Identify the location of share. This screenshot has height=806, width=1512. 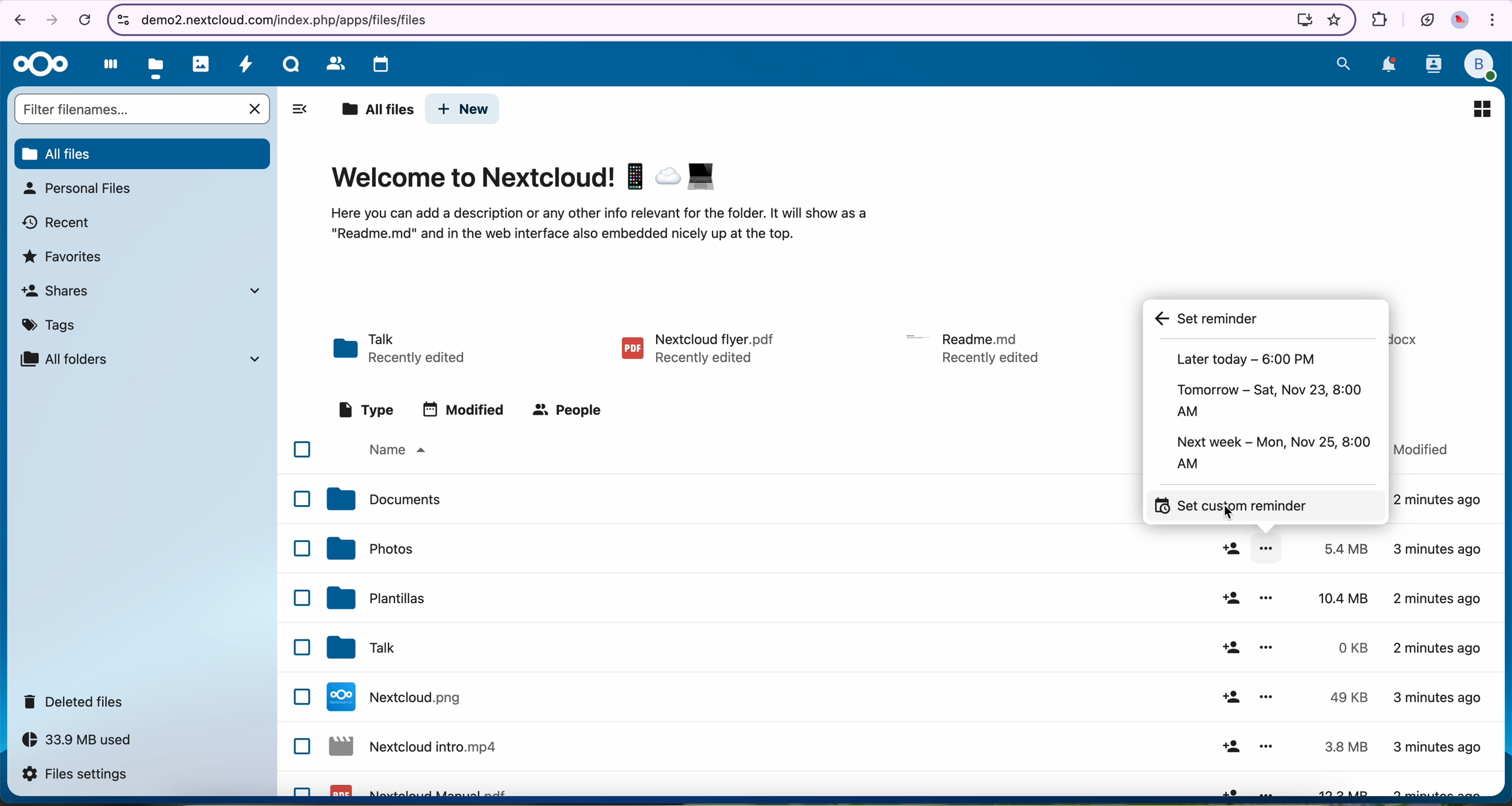
(1232, 788).